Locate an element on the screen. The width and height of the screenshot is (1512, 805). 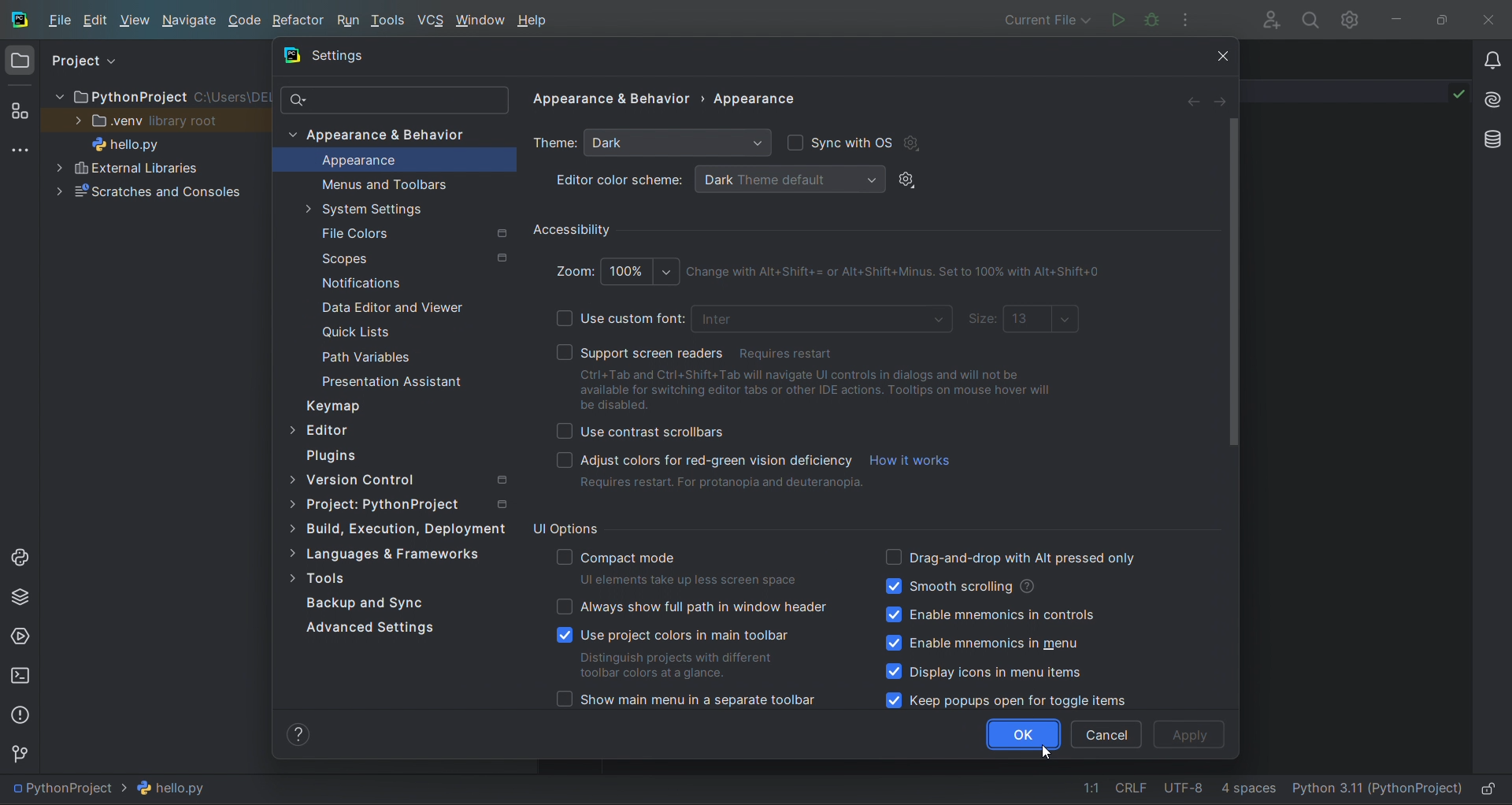
project view is located at coordinates (99, 61).